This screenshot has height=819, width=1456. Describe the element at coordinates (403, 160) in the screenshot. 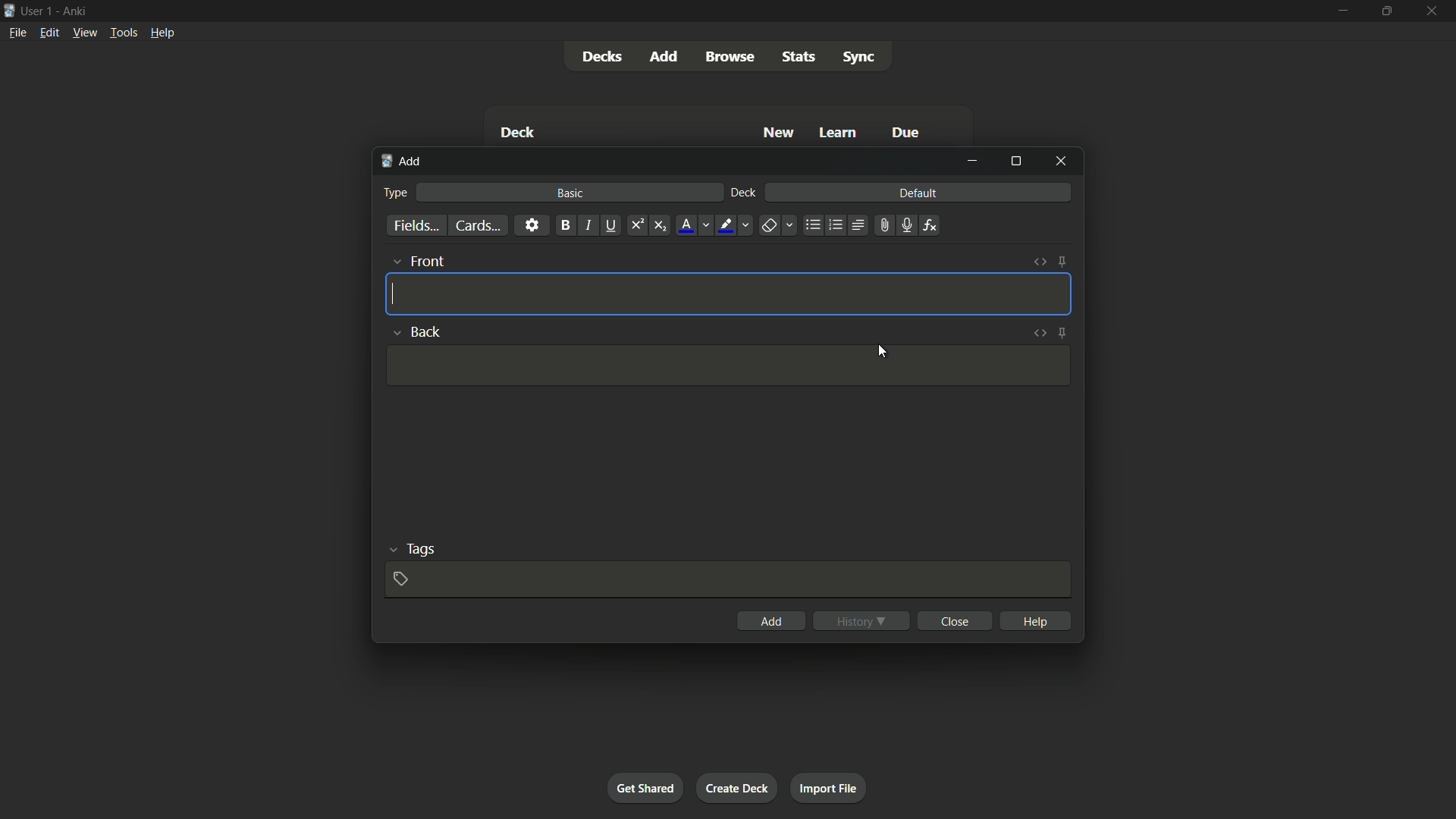

I see `add` at that location.